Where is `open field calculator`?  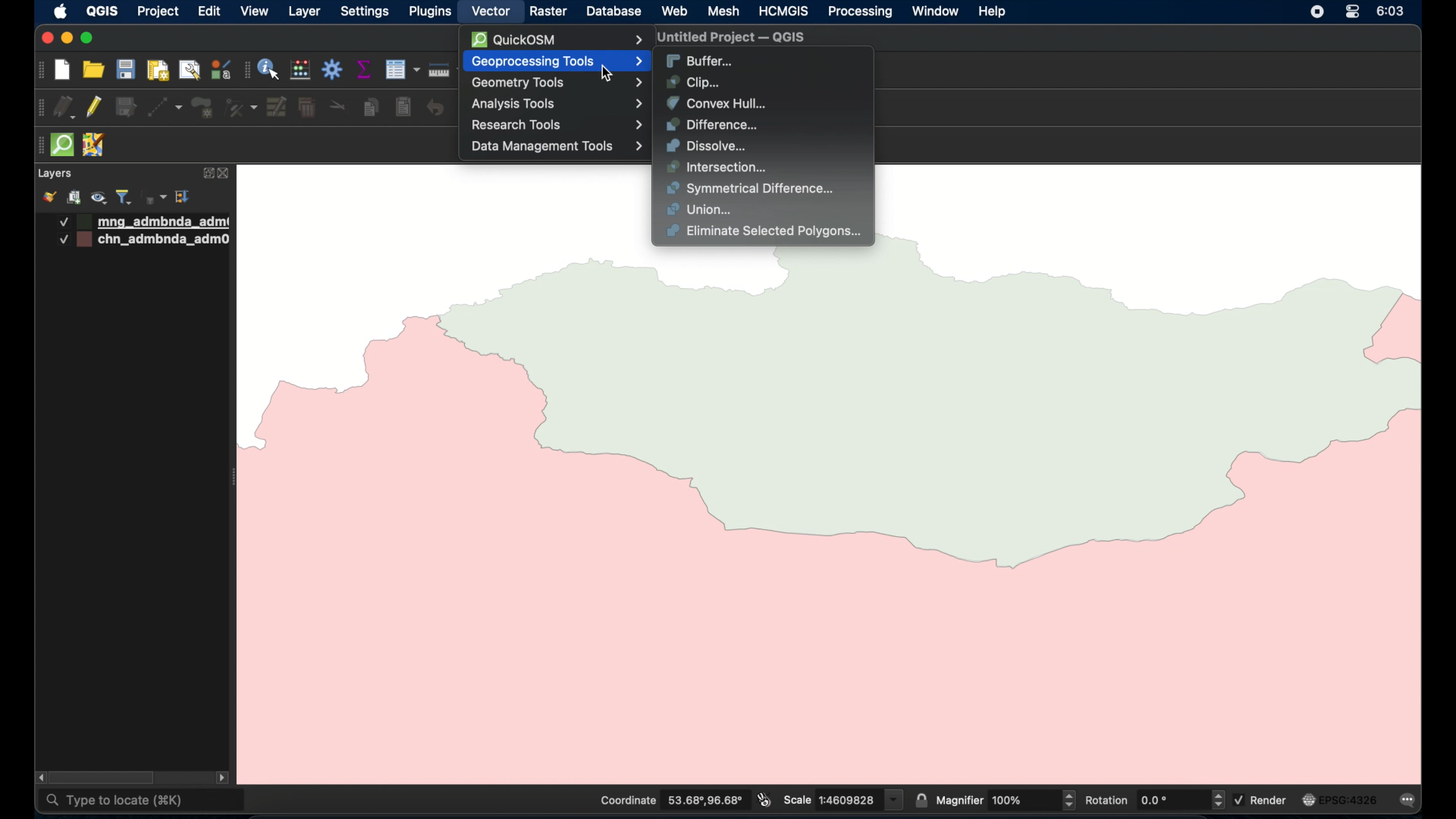
open field calculator is located at coordinates (301, 71).